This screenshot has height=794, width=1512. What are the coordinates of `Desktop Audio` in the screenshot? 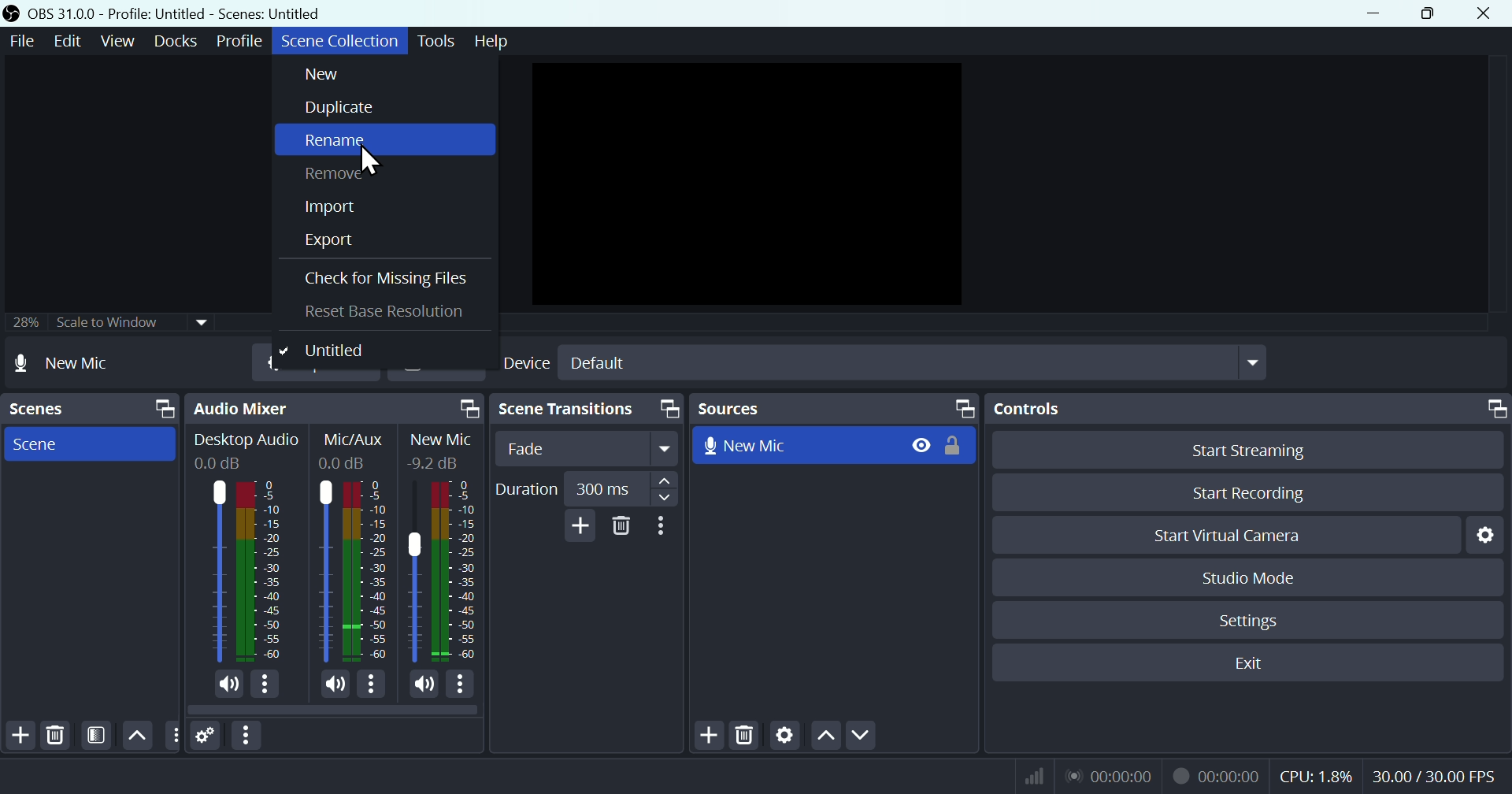 It's located at (248, 440).